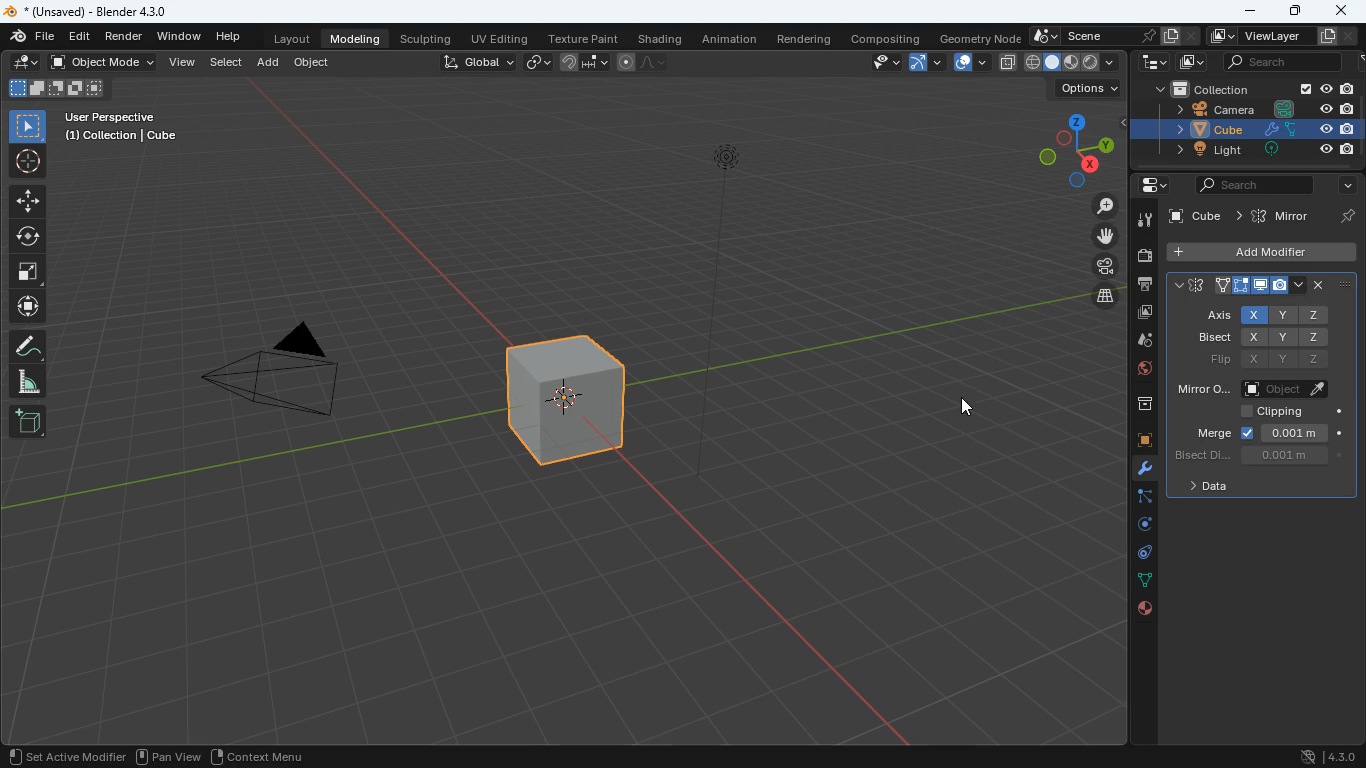 The height and width of the screenshot is (768, 1366). I want to click on minimize, so click(1248, 12).